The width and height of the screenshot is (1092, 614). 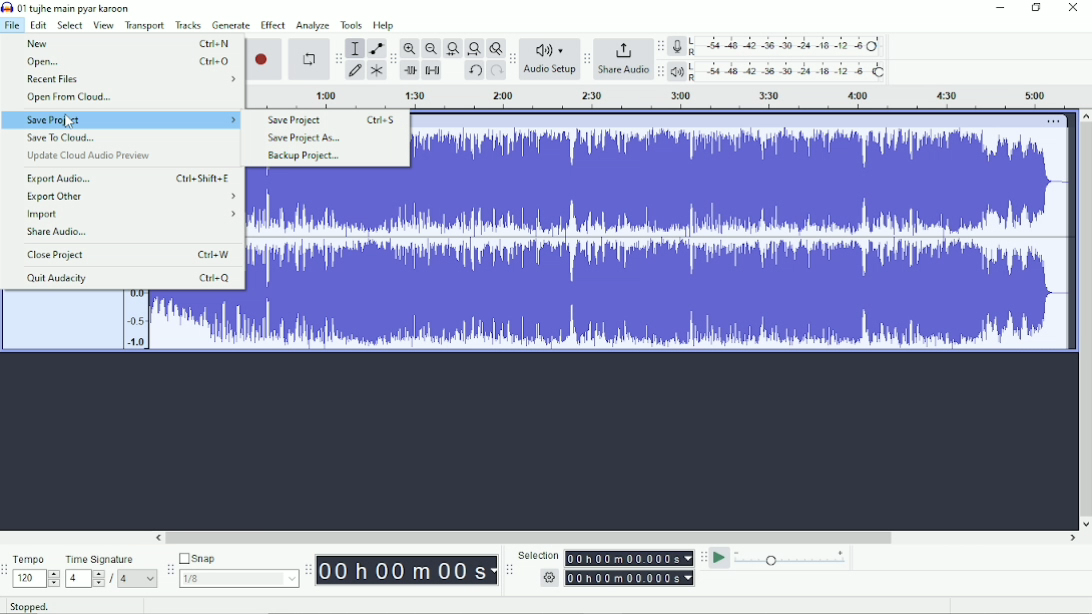 I want to click on Time, so click(x=408, y=569).